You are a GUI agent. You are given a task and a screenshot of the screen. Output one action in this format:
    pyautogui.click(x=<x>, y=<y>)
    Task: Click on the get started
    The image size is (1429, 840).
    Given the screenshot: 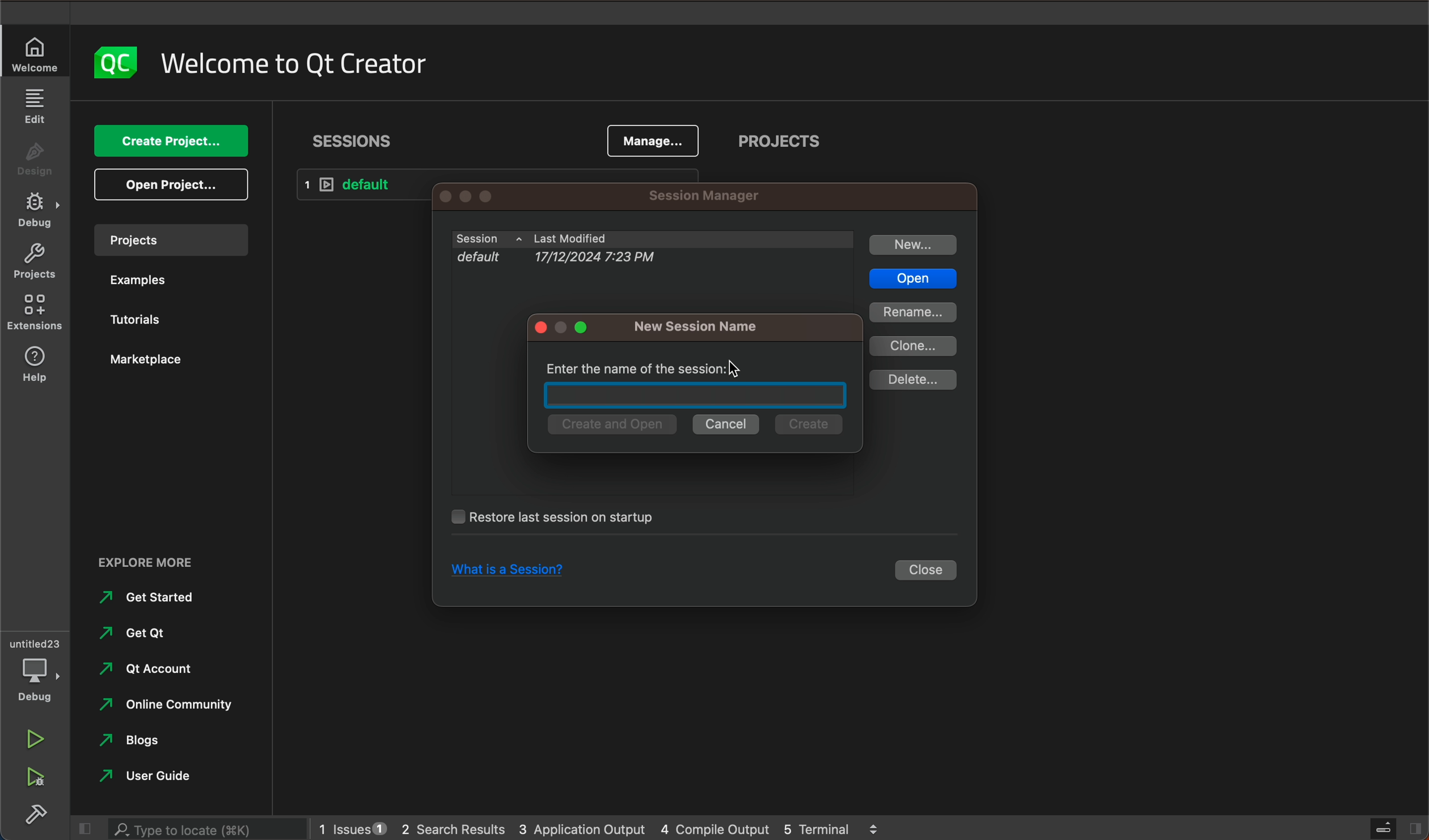 What is the action you would take?
    pyautogui.click(x=153, y=597)
    